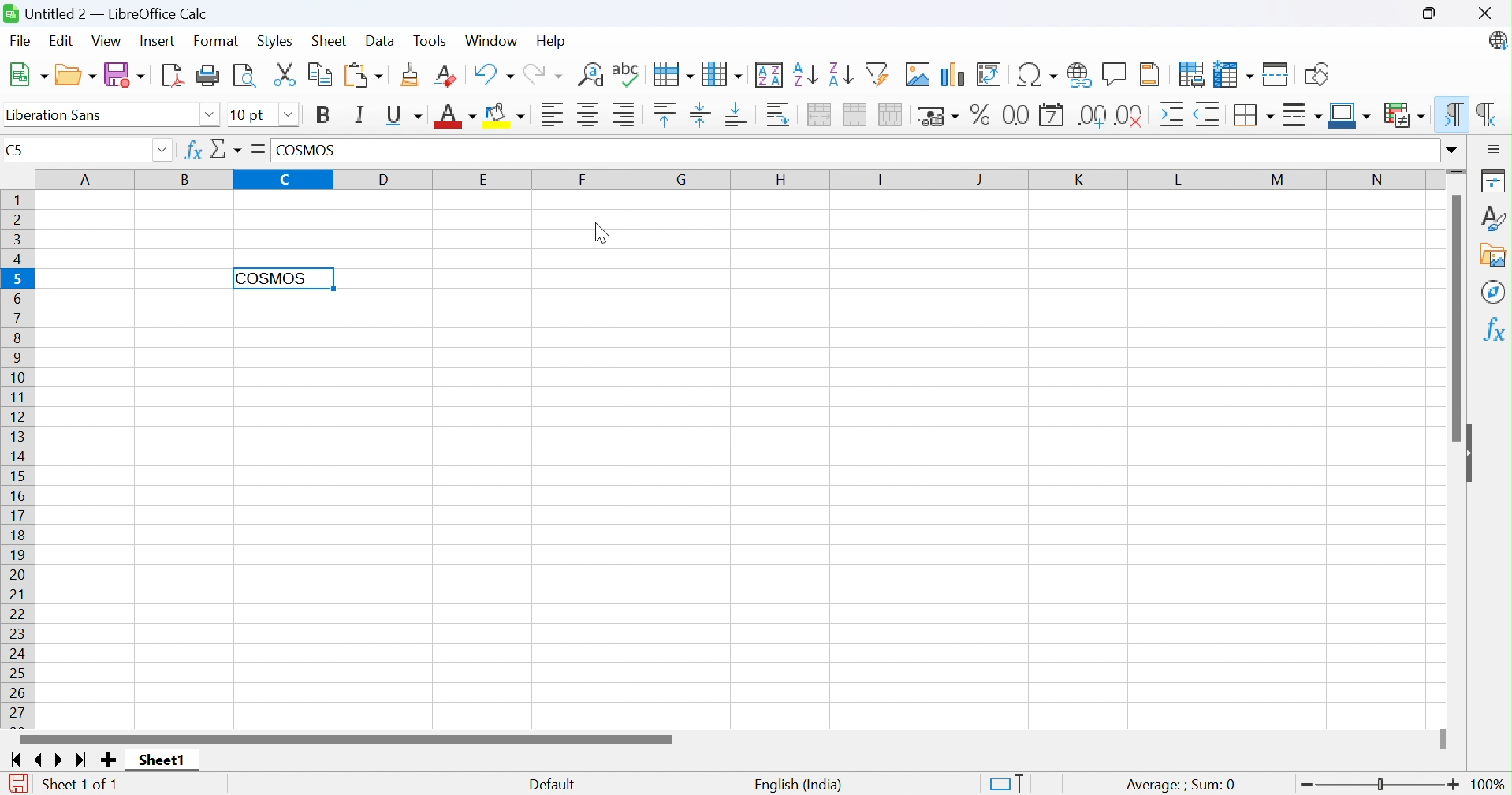  I want to click on Headers and footers, so click(1151, 74).